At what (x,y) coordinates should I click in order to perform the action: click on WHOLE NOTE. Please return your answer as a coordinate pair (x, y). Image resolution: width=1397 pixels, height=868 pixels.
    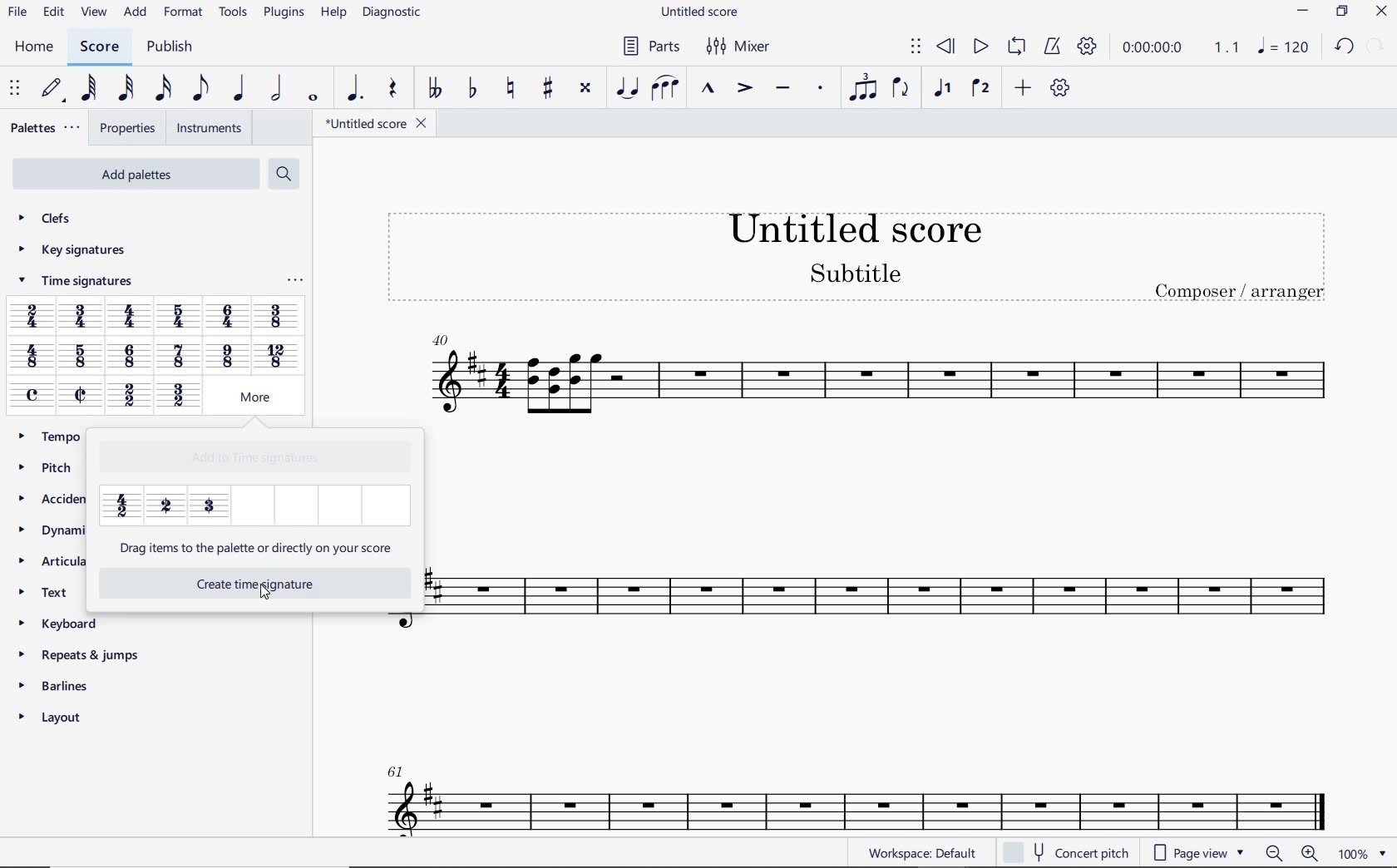
    Looking at the image, I should click on (313, 100).